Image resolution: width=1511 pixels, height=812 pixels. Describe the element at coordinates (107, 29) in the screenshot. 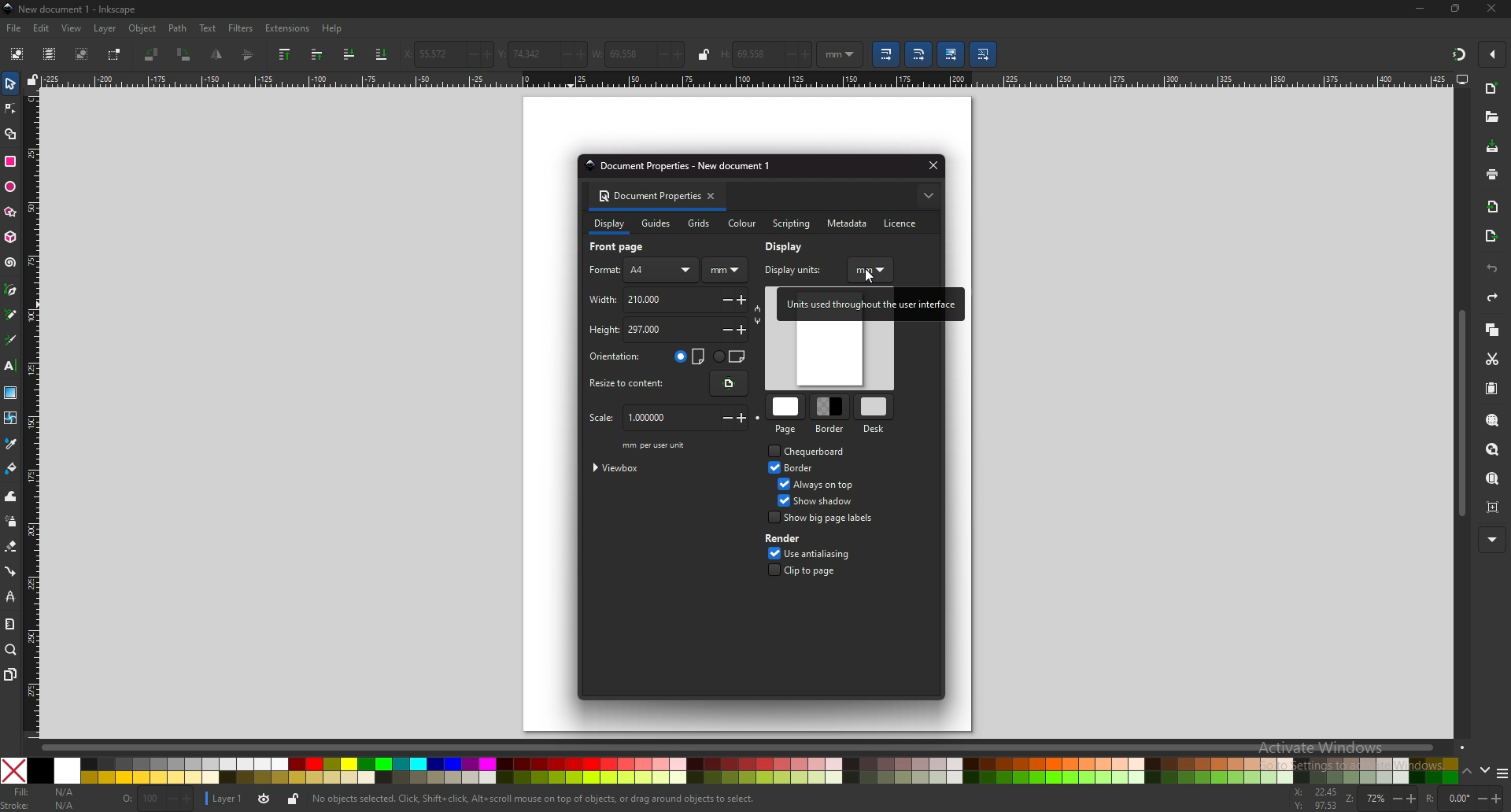

I see `layer` at that location.